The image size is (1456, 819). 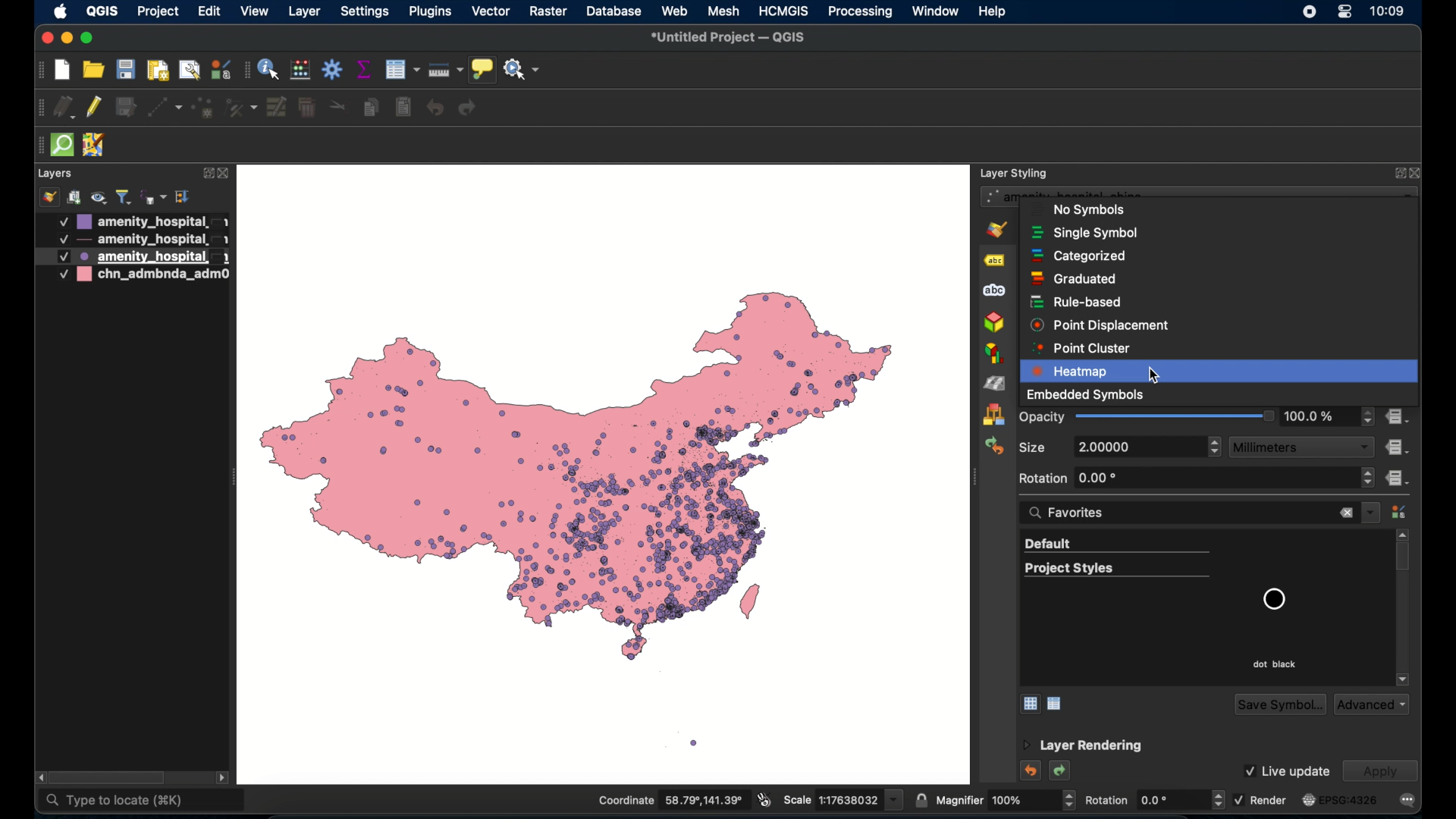 I want to click on project styles, so click(x=1117, y=570).